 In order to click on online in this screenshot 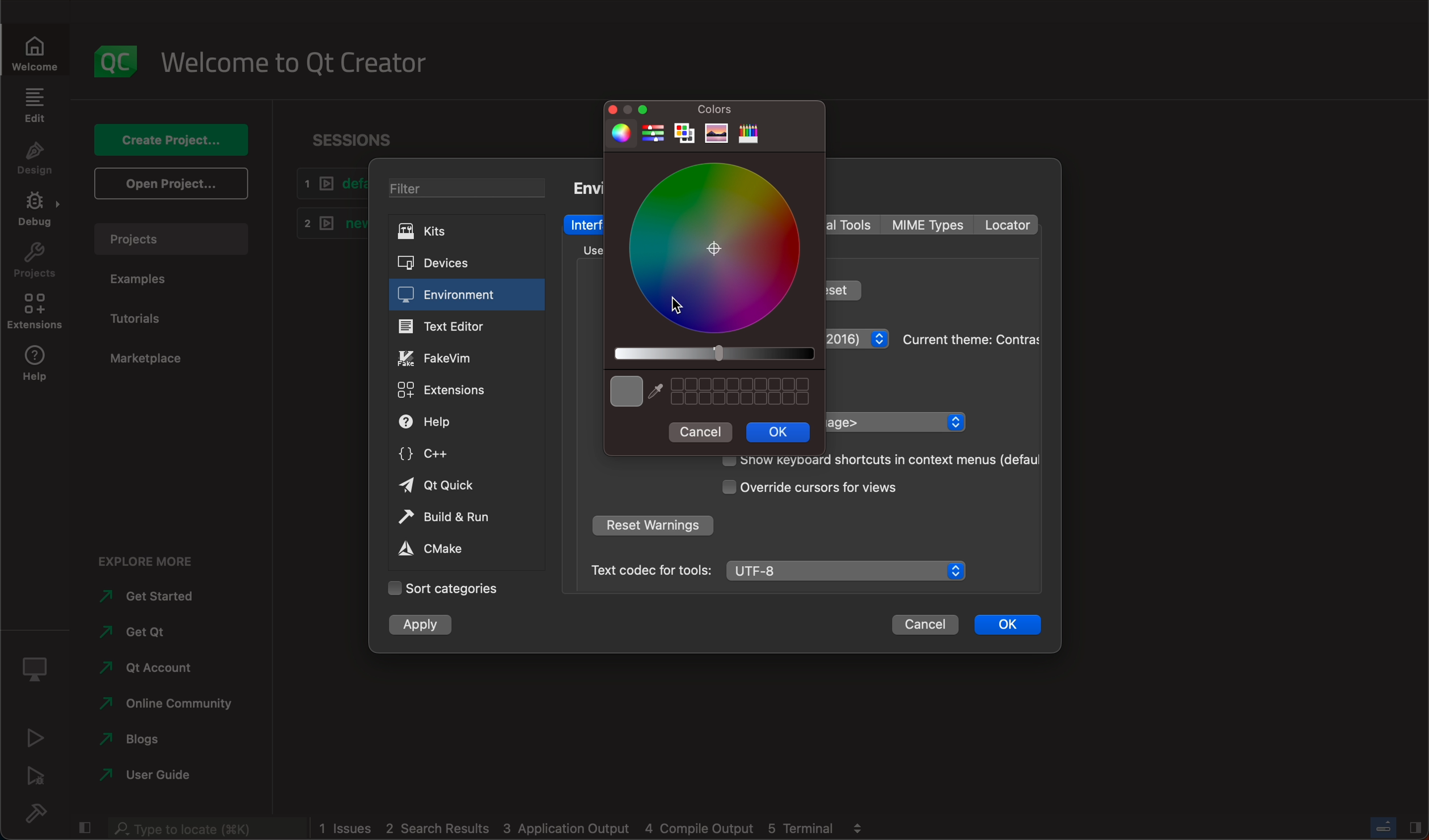, I will do `click(168, 701)`.